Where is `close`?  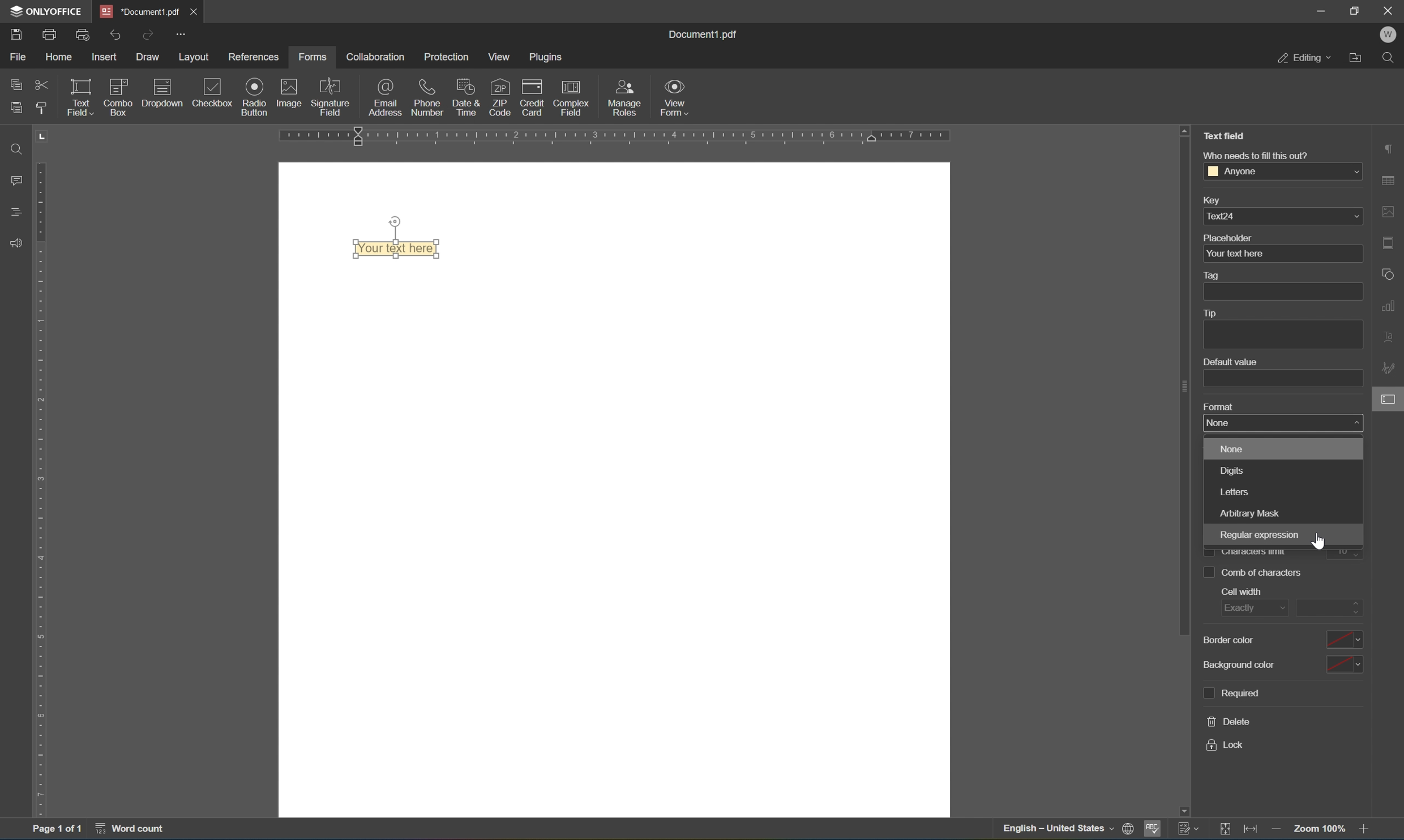
close is located at coordinates (1390, 9).